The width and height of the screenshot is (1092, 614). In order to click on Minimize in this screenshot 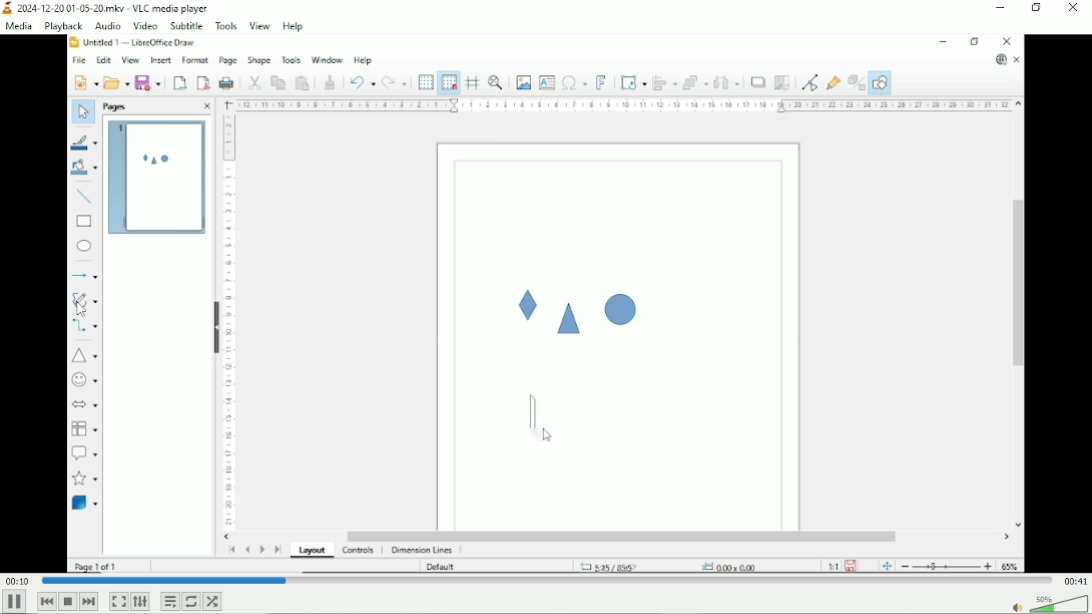, I will do `click(1002, 8)`.